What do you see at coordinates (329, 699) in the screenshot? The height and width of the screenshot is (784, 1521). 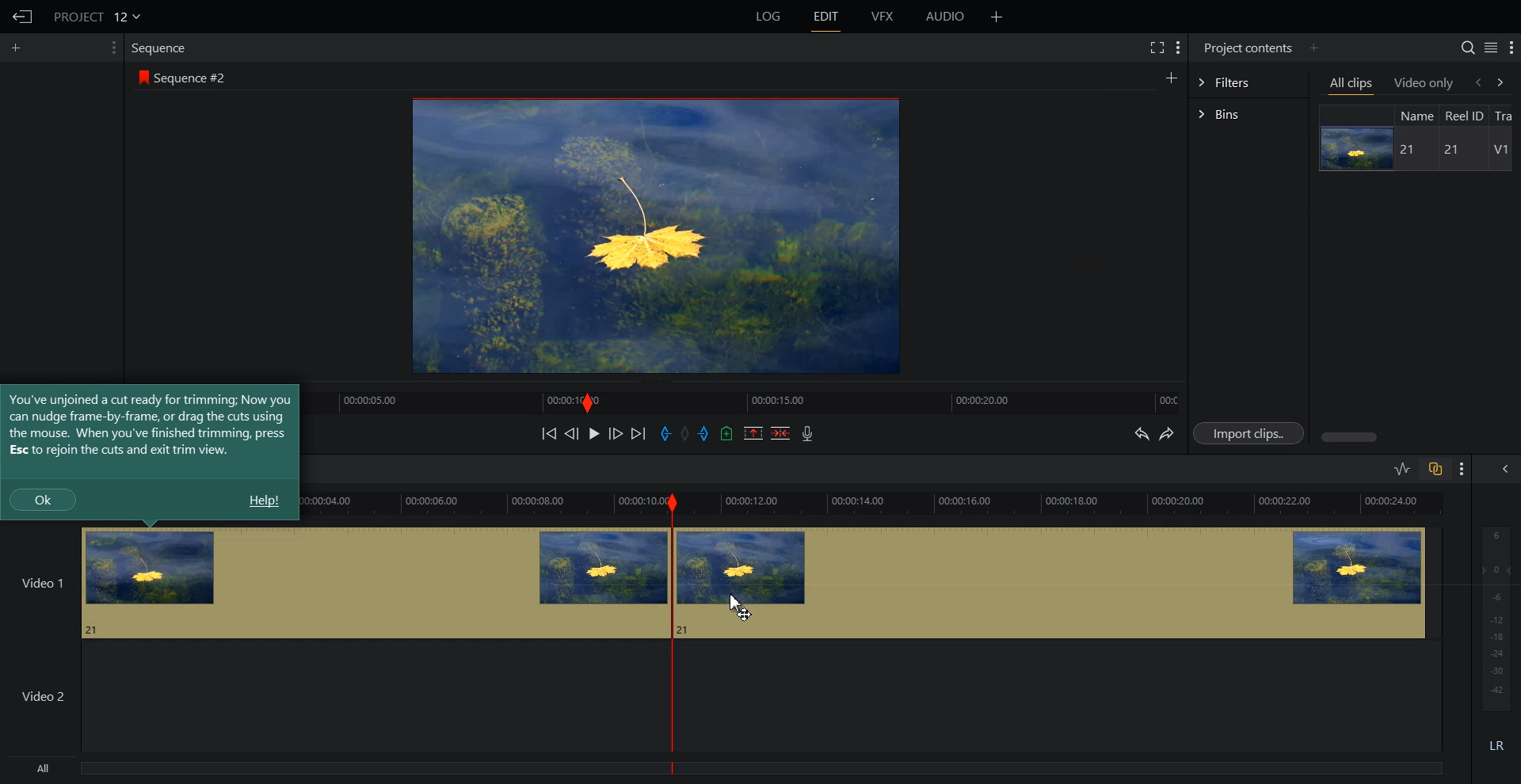 I see `Video 2` at bounding box center [329, 699].